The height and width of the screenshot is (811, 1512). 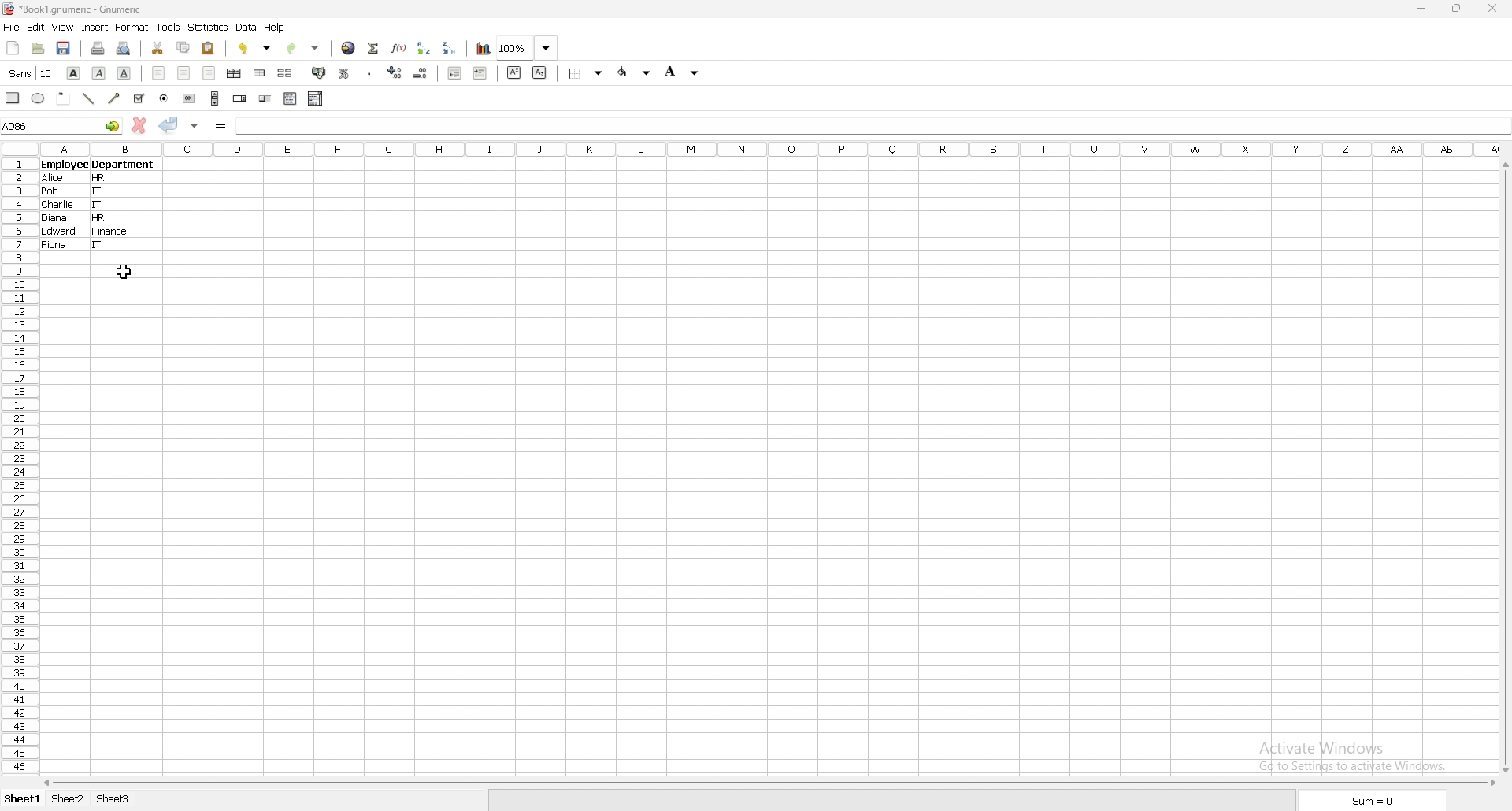 I want to click on sort descending, so click(x=450, y=48).